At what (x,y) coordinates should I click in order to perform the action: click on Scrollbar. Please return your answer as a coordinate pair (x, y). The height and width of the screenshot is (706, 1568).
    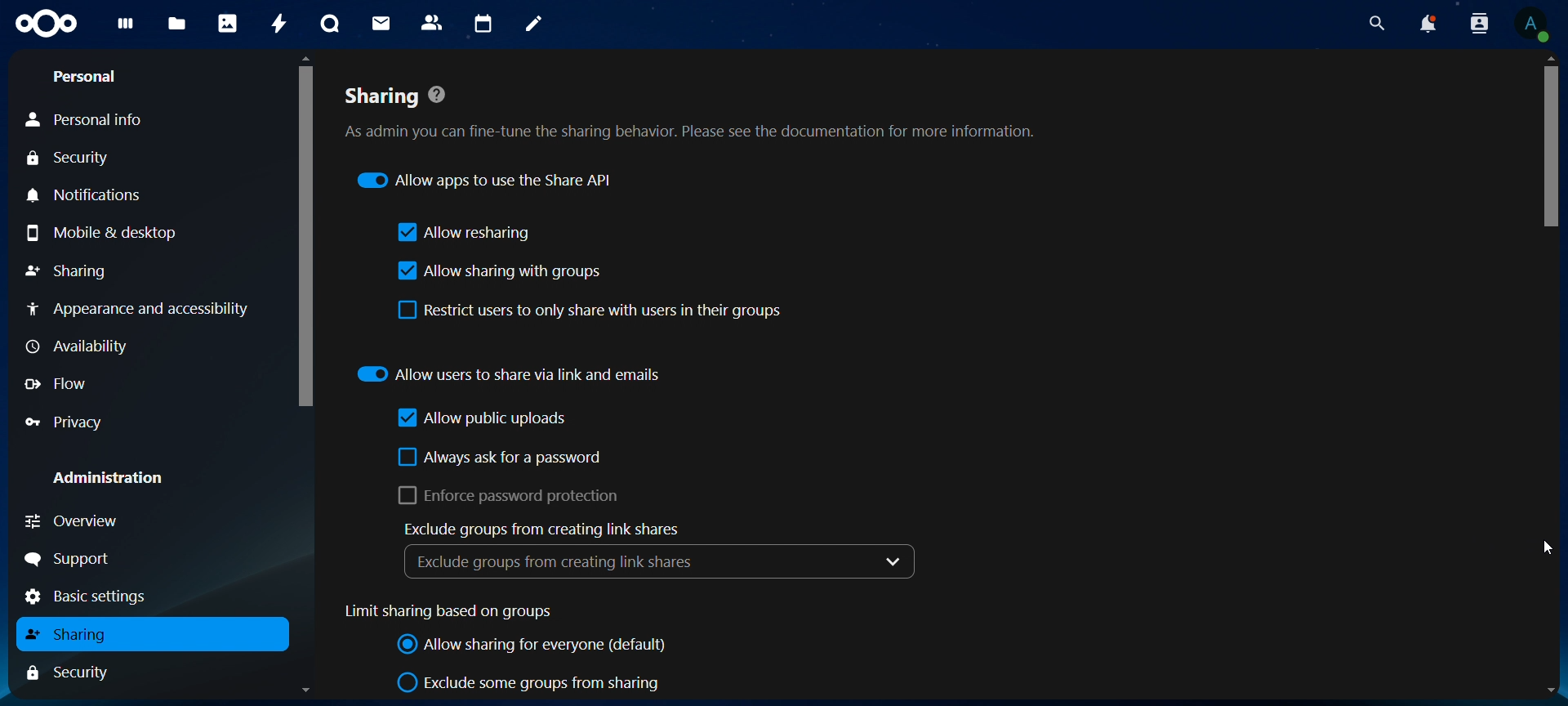
    Looking at the image, I should click on (305, 375).